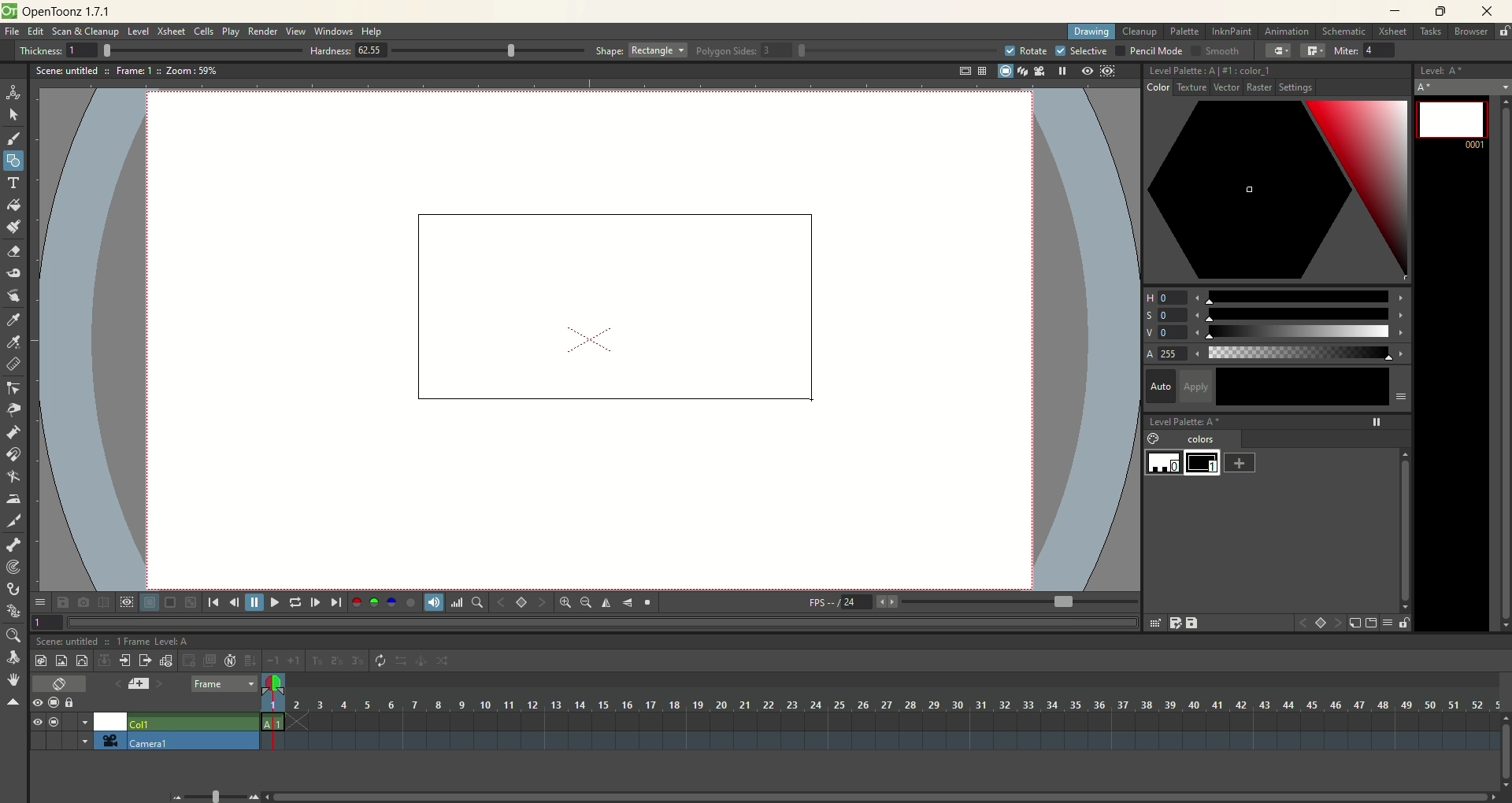 The width and height of the screenshot is (1512, 803). Describe the element at coordinates (606, 603) in the screenshot. I see `flip horizontally` at that location.